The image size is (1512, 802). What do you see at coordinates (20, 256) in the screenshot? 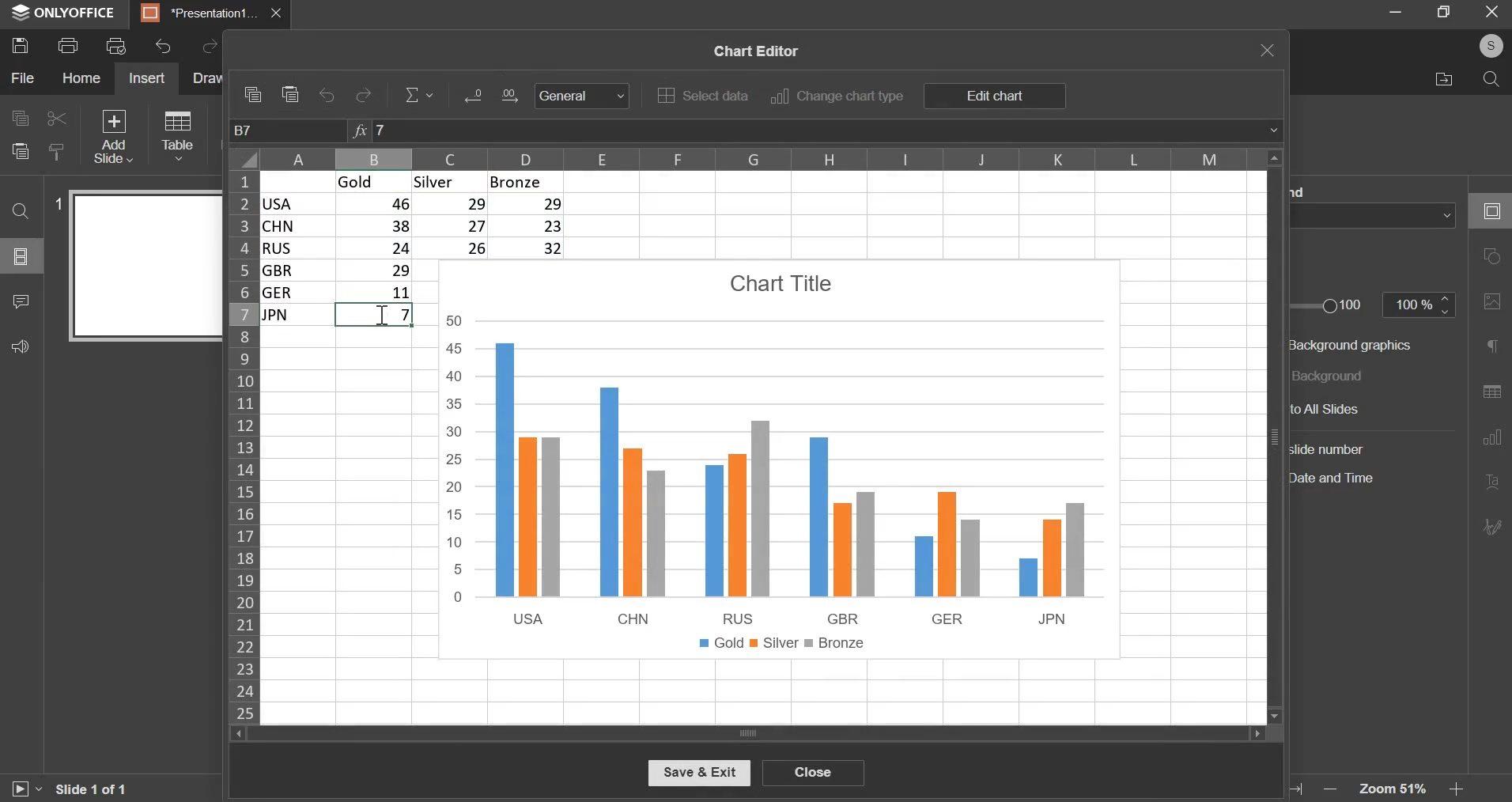
I see `slide menu` at bounding box center [20, 256].